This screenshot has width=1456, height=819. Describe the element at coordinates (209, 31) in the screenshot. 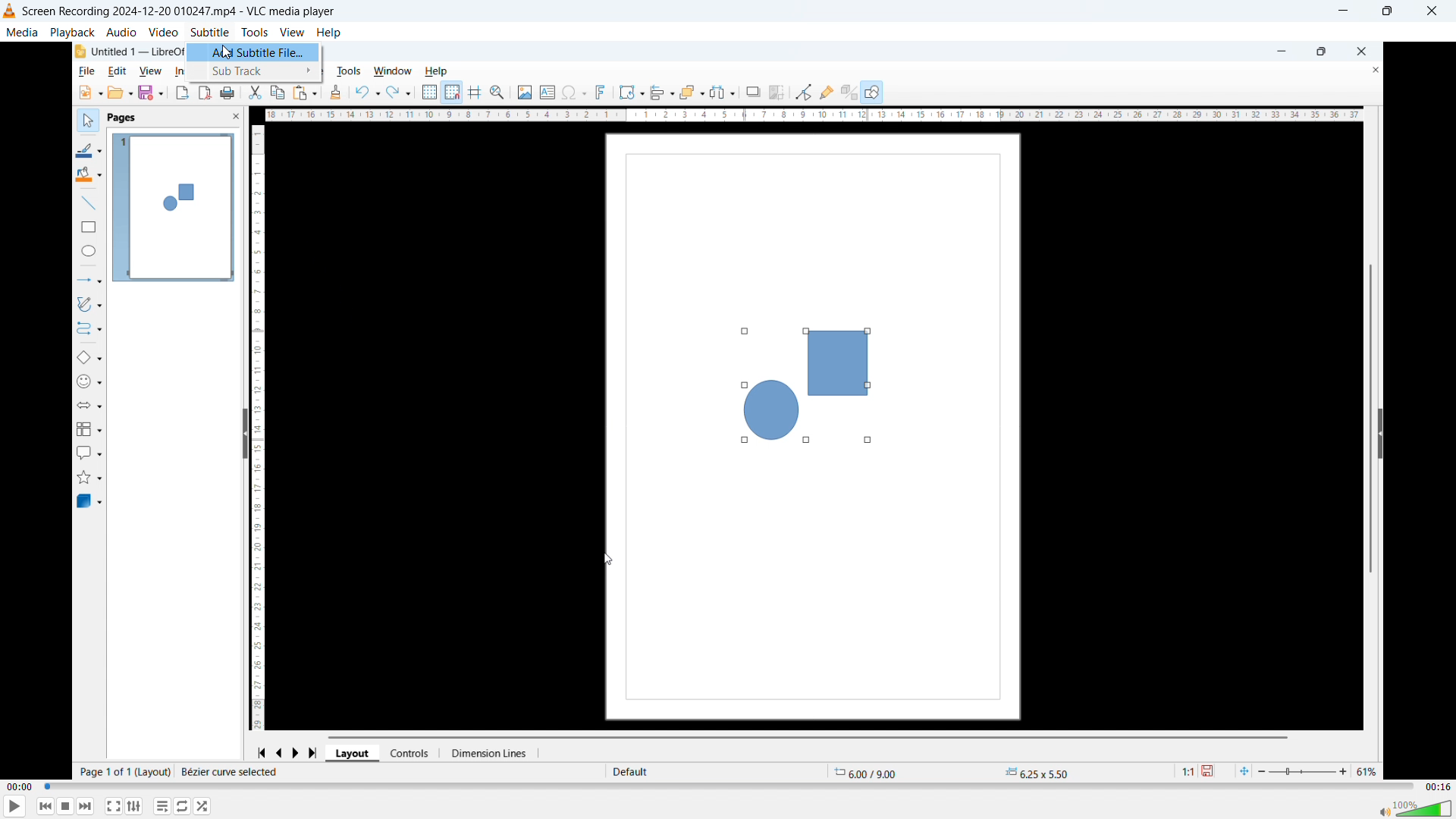

I see `Subtitle ` at that location.